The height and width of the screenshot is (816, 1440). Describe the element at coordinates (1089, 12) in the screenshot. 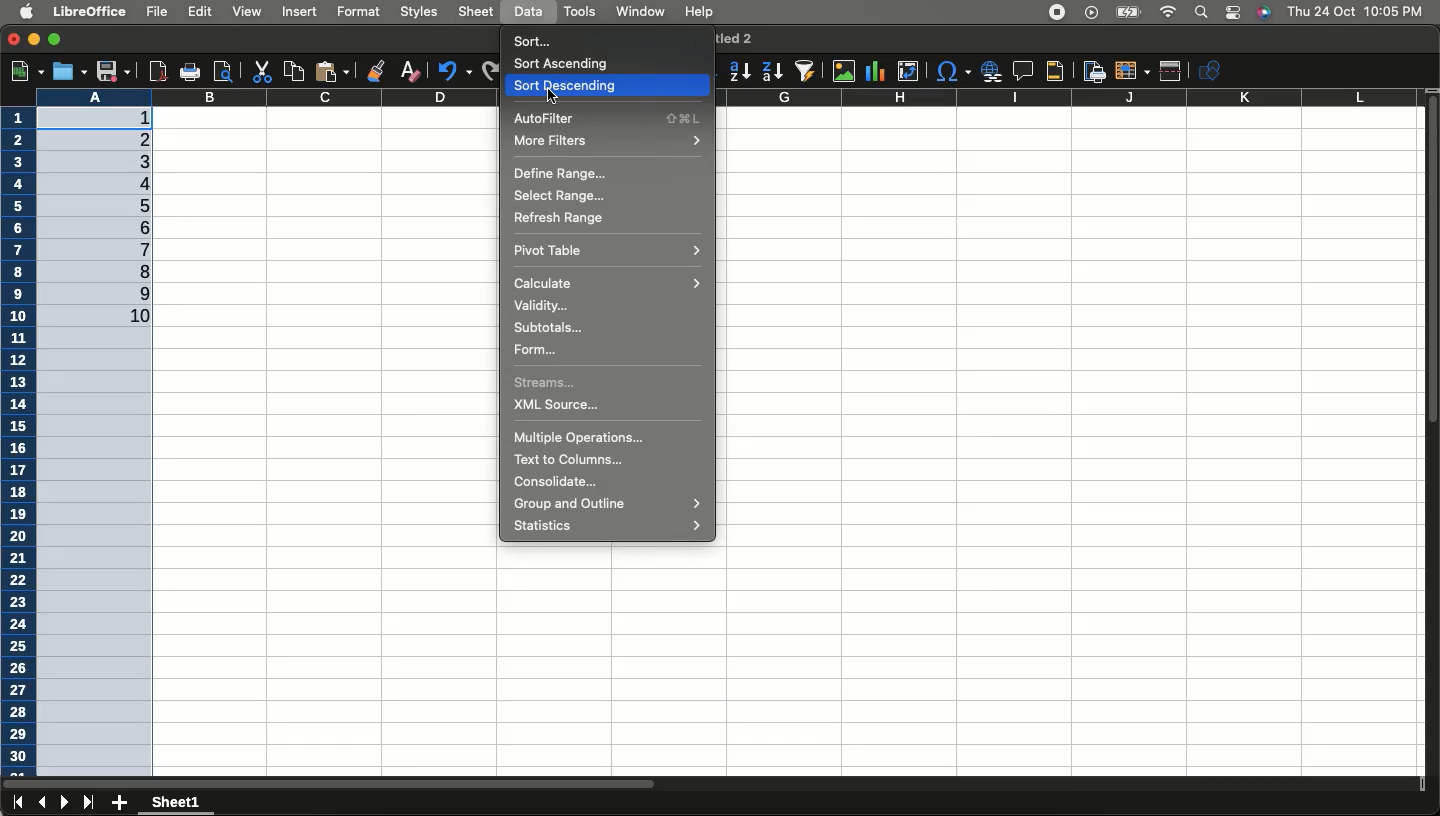

I see `Video player` at that location.